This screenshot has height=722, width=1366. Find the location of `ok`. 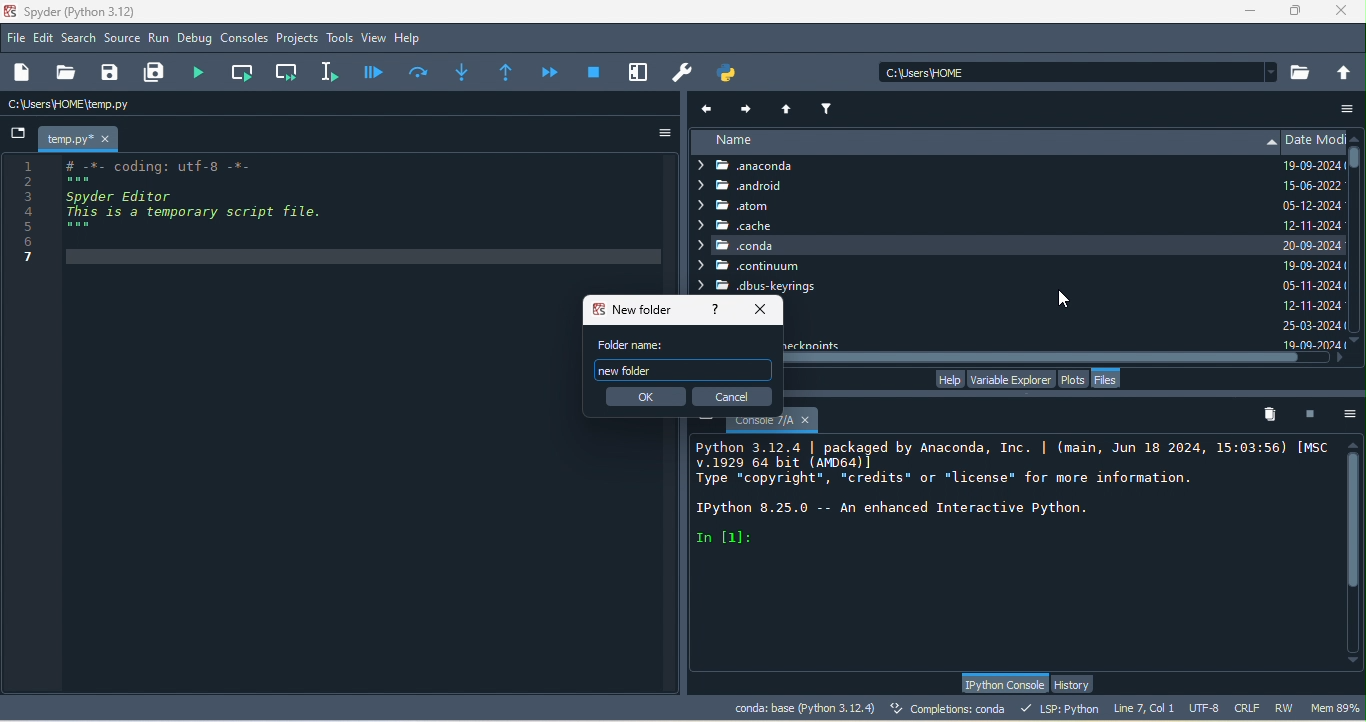

ok is located at coordinates (643, 397).